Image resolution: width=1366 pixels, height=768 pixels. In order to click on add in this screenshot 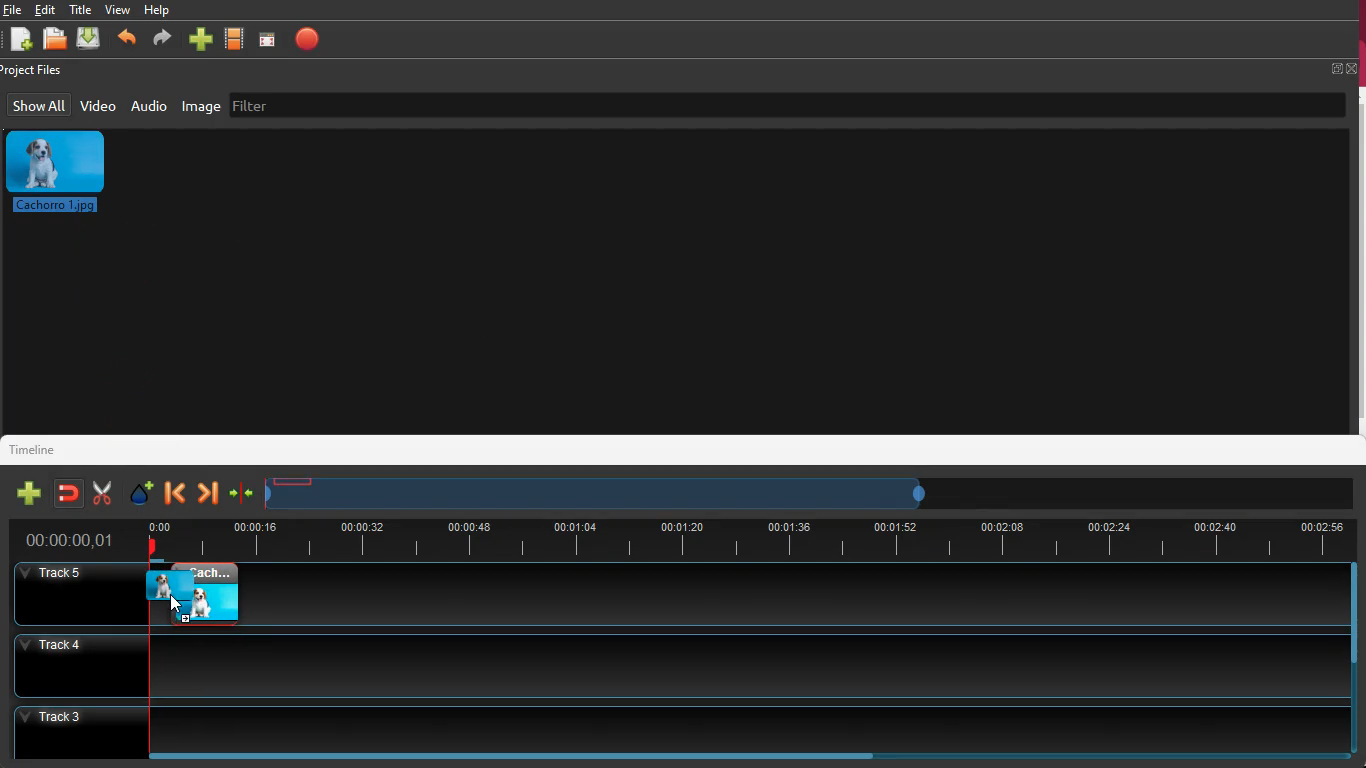, I will do `click(25, 494)`.